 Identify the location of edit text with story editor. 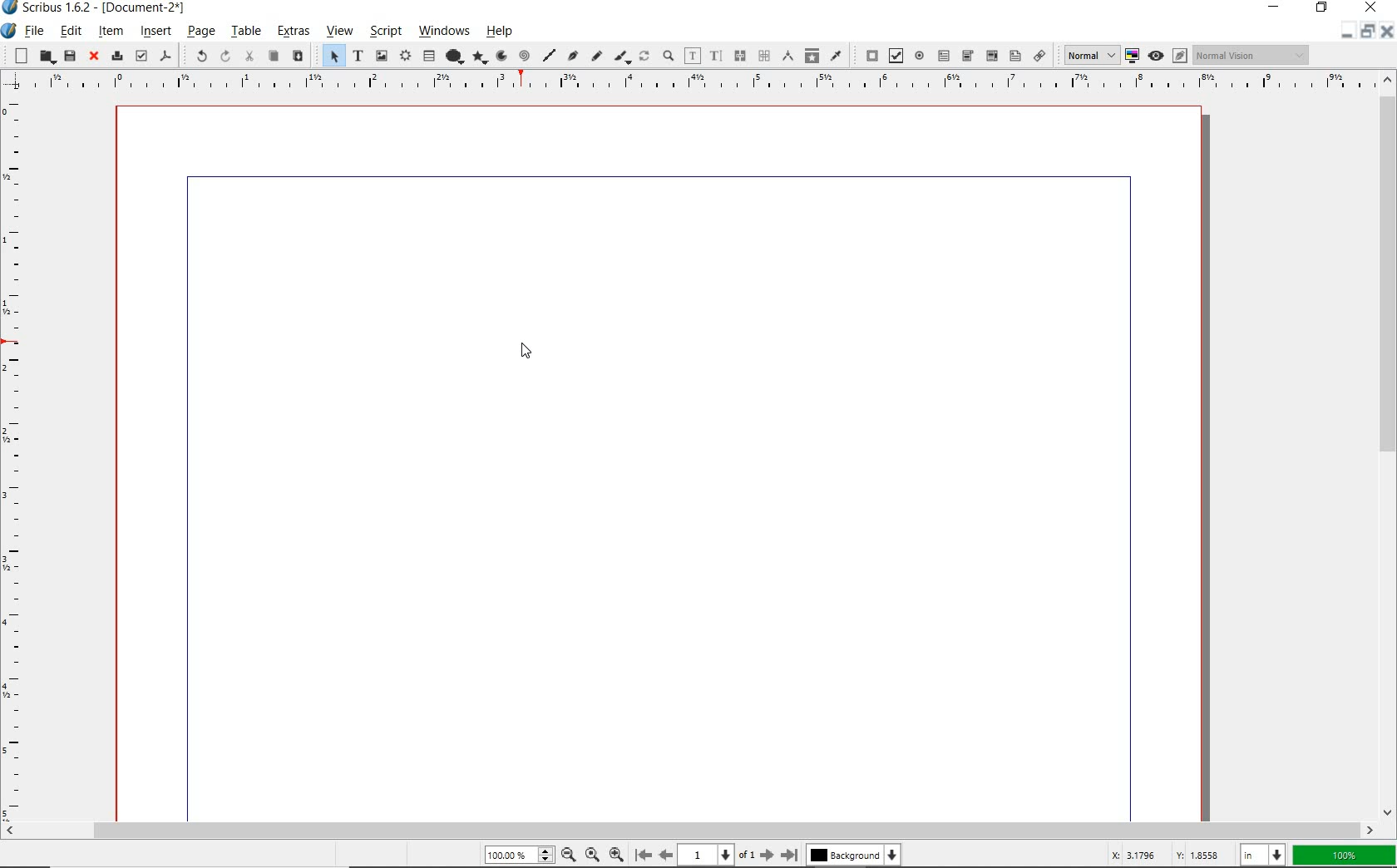
(717, 55).